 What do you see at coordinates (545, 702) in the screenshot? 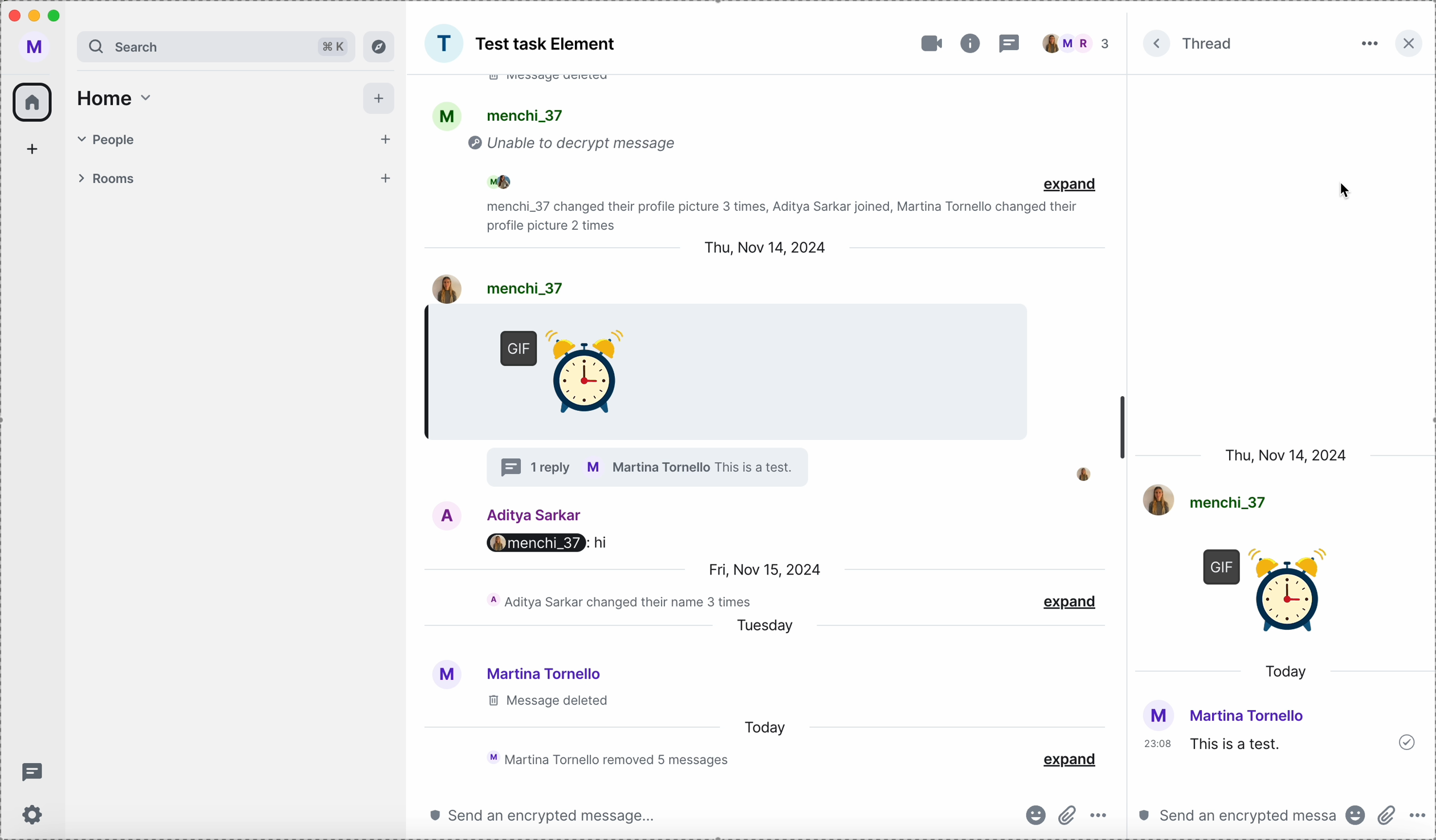
I see `message deleted` at bounding box center [545, 702].